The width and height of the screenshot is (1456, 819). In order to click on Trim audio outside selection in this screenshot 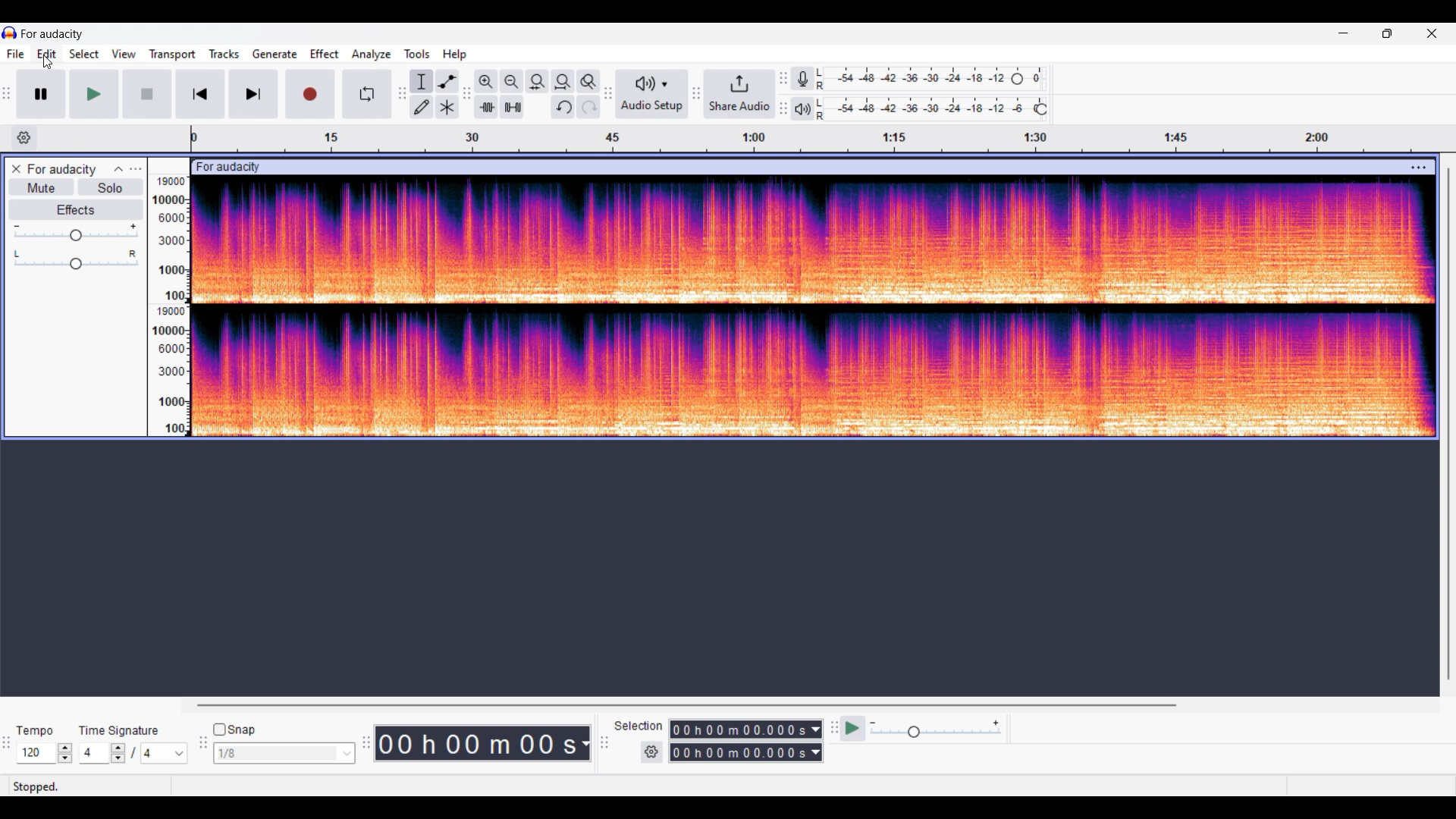, I will do `click(486, 107)`.